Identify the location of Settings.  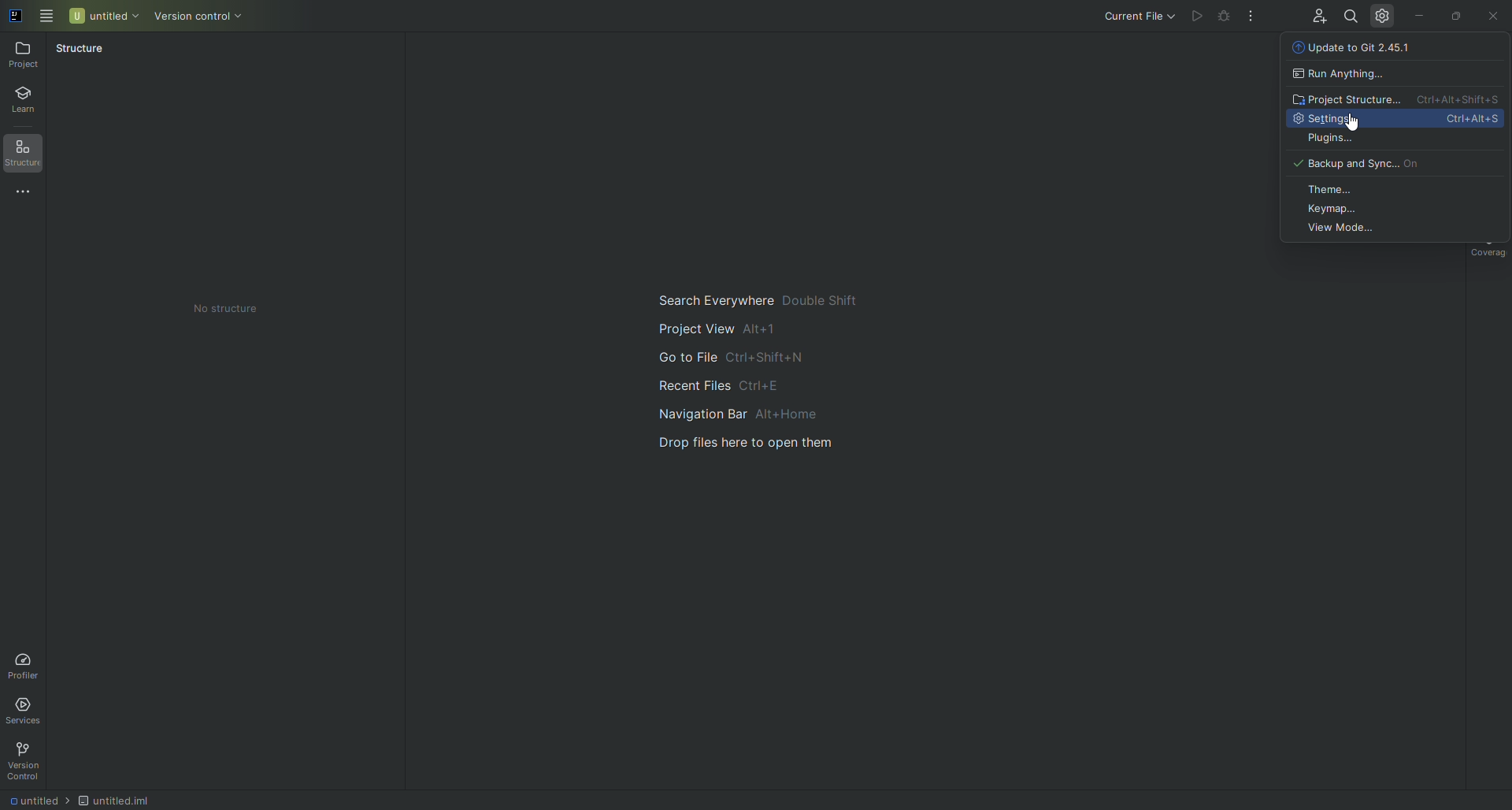
(1345, 120).